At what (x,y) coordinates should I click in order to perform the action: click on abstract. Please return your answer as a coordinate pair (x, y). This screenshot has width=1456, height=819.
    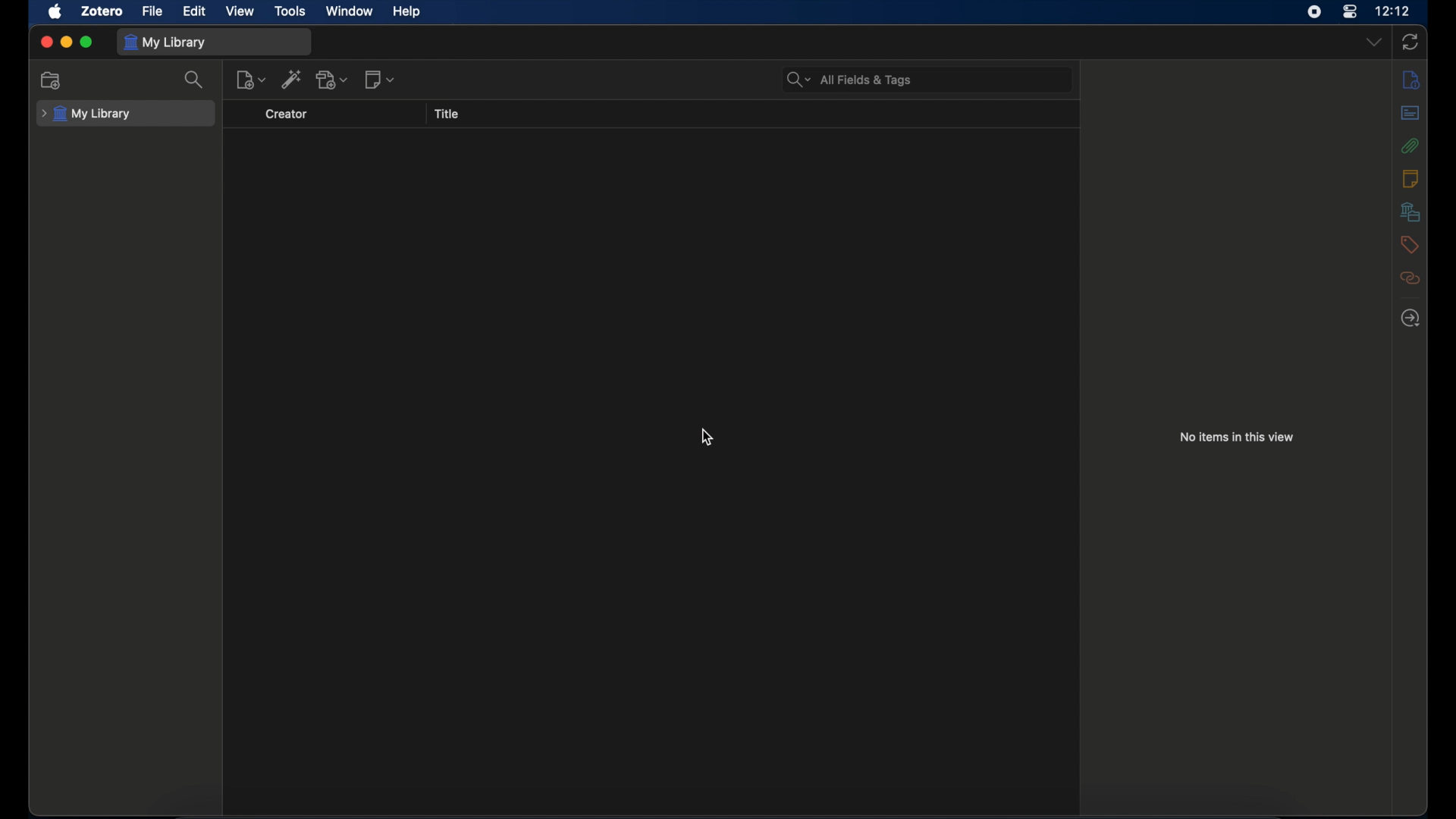
    Looking at the image, I should click on (1411, 113).